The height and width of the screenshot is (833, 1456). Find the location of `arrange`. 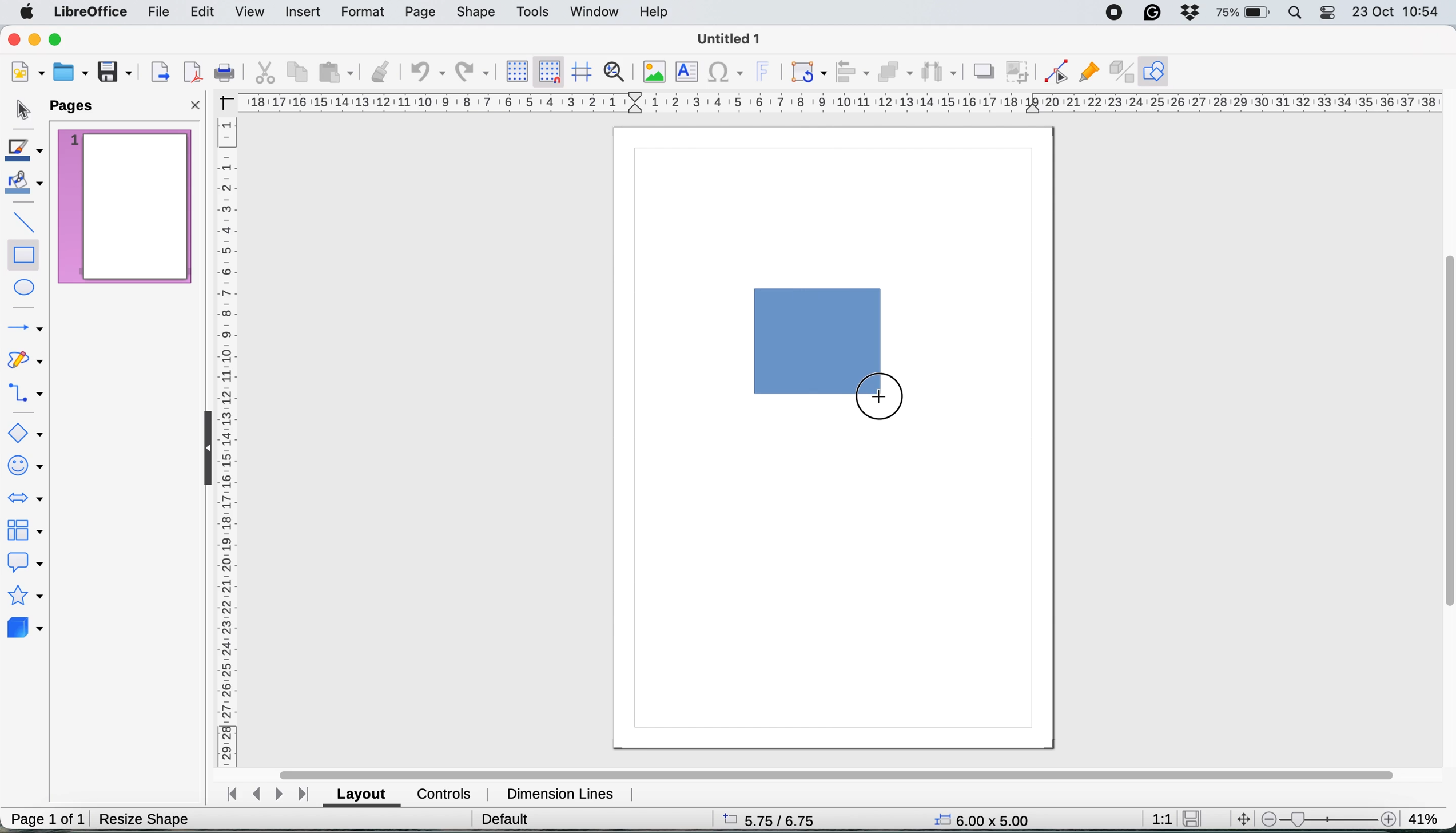

arrange is located at coordinates (898, 73).